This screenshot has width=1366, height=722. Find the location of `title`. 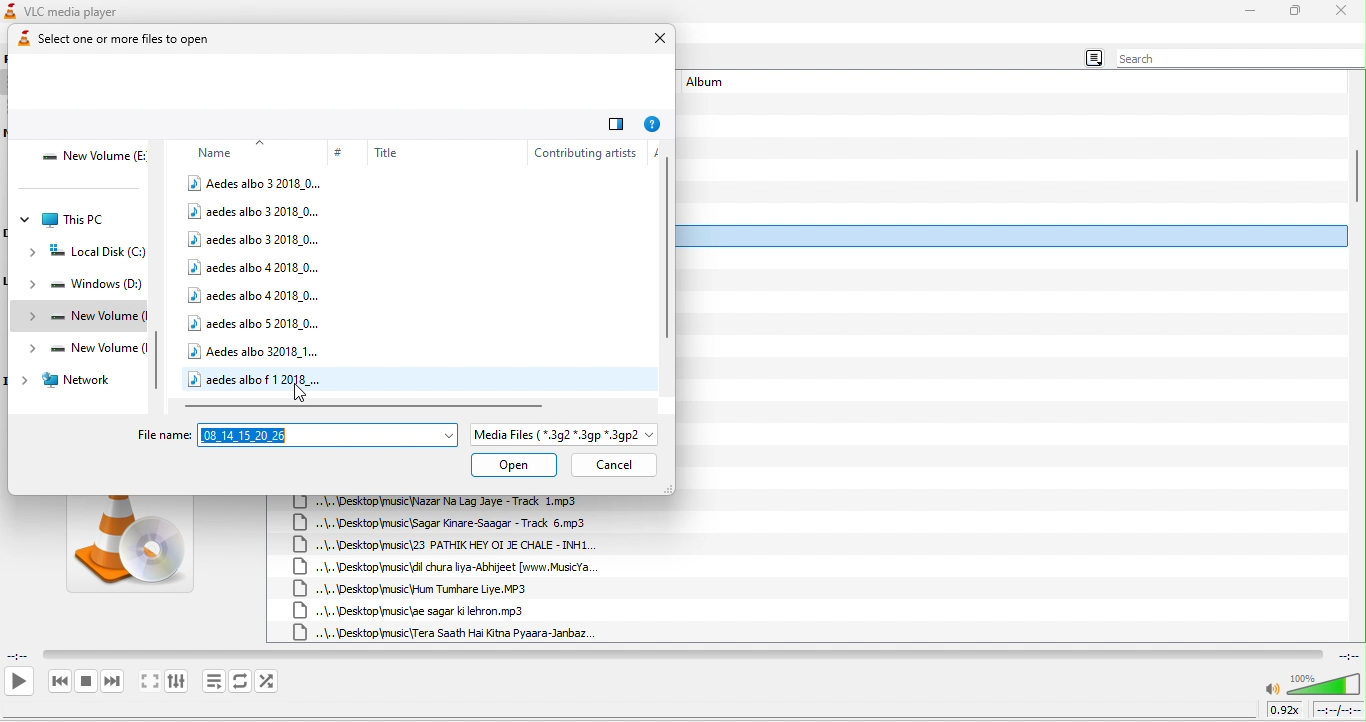

title is located at coordinates (428, 152).